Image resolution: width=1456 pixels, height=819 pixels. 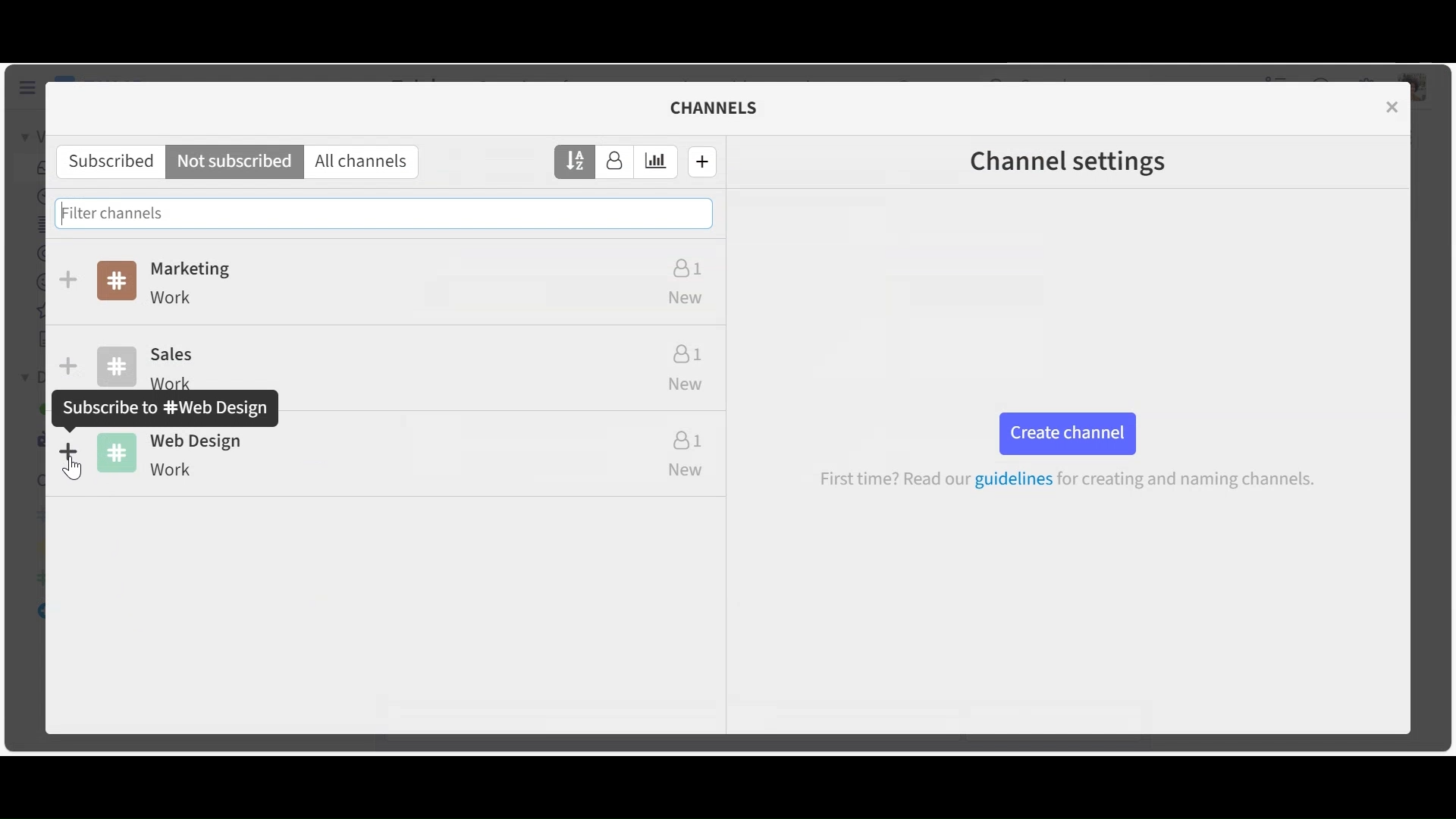 I want to click on Subscribe/unsubscibe, so click(x=71, y=364).